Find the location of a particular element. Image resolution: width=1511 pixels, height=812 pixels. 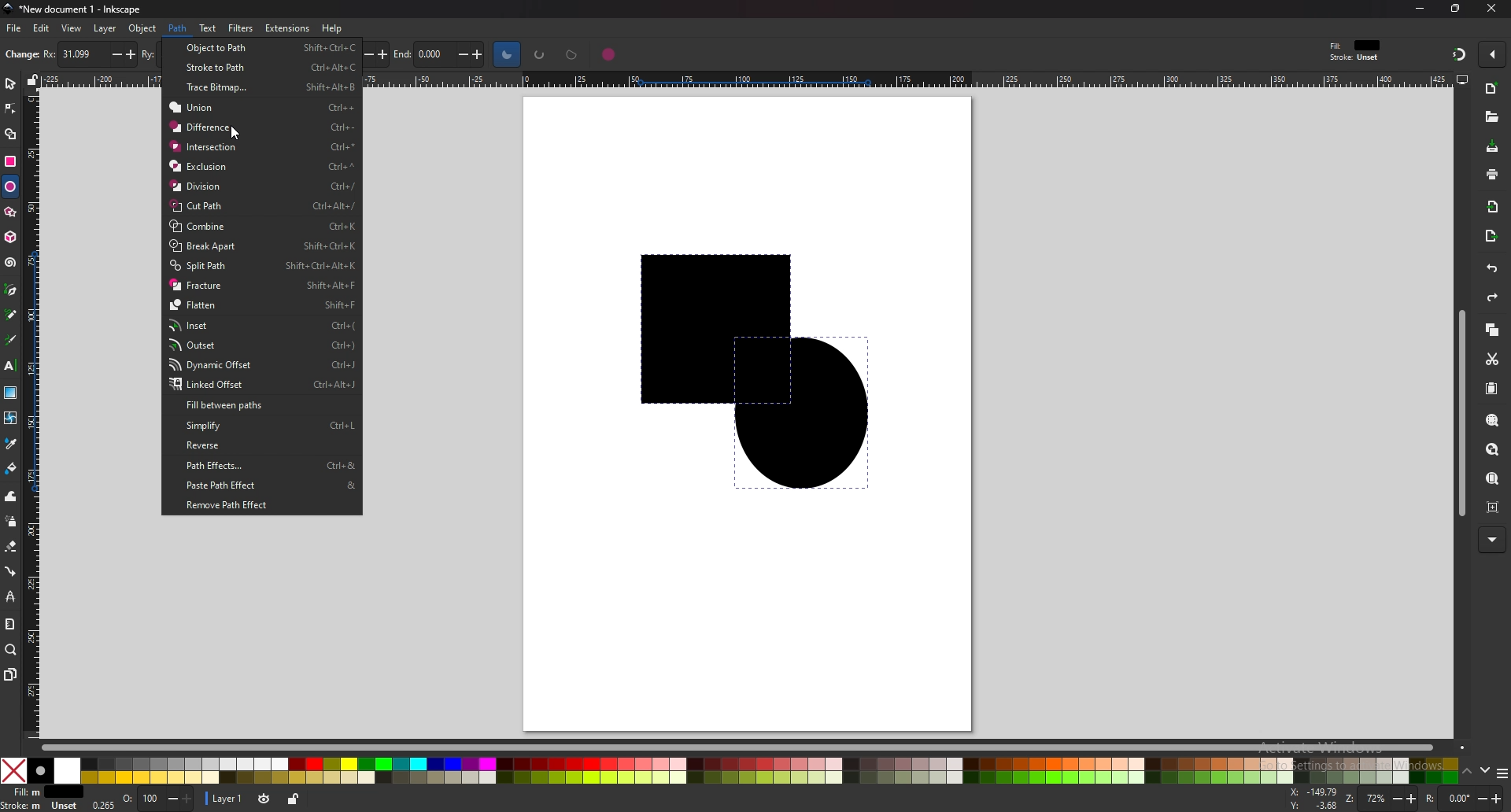

cut is located at coordinates (1493, 360).